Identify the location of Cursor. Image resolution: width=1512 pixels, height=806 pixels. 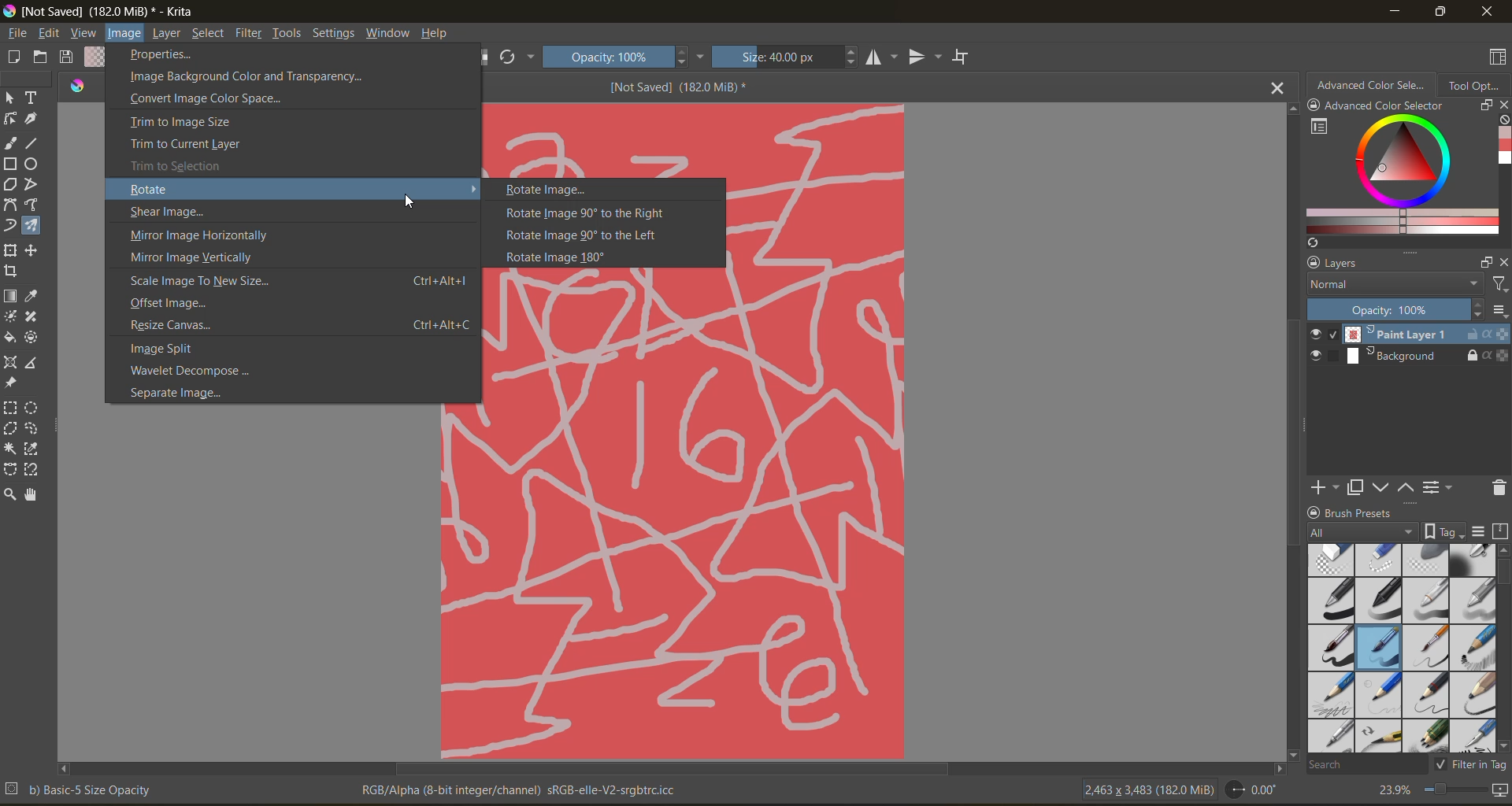
(409, 201).